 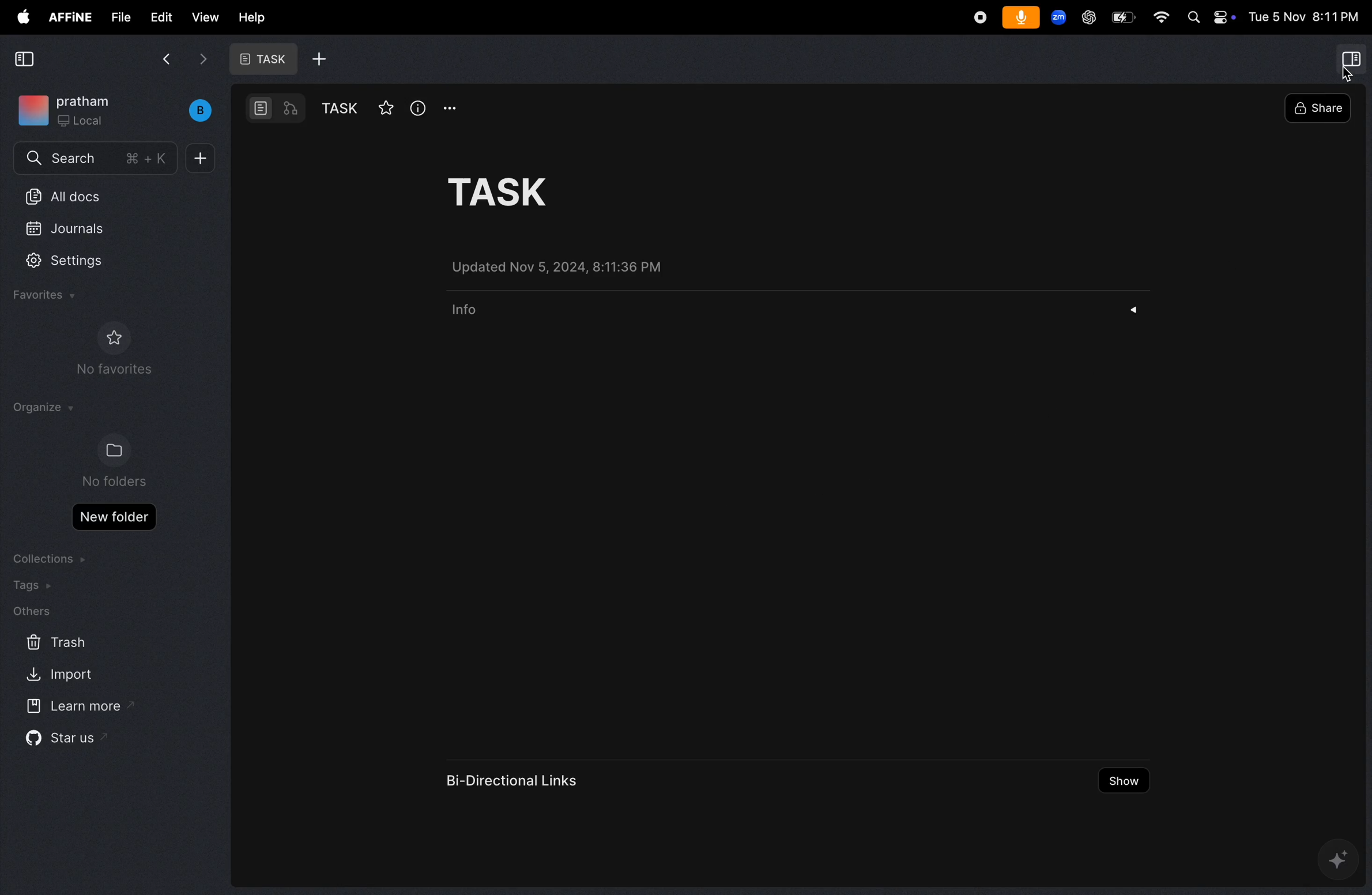 What do you see at coordinates (97, 195) in the screenshot?
I see `all docs` at bounding box center [97, 195].